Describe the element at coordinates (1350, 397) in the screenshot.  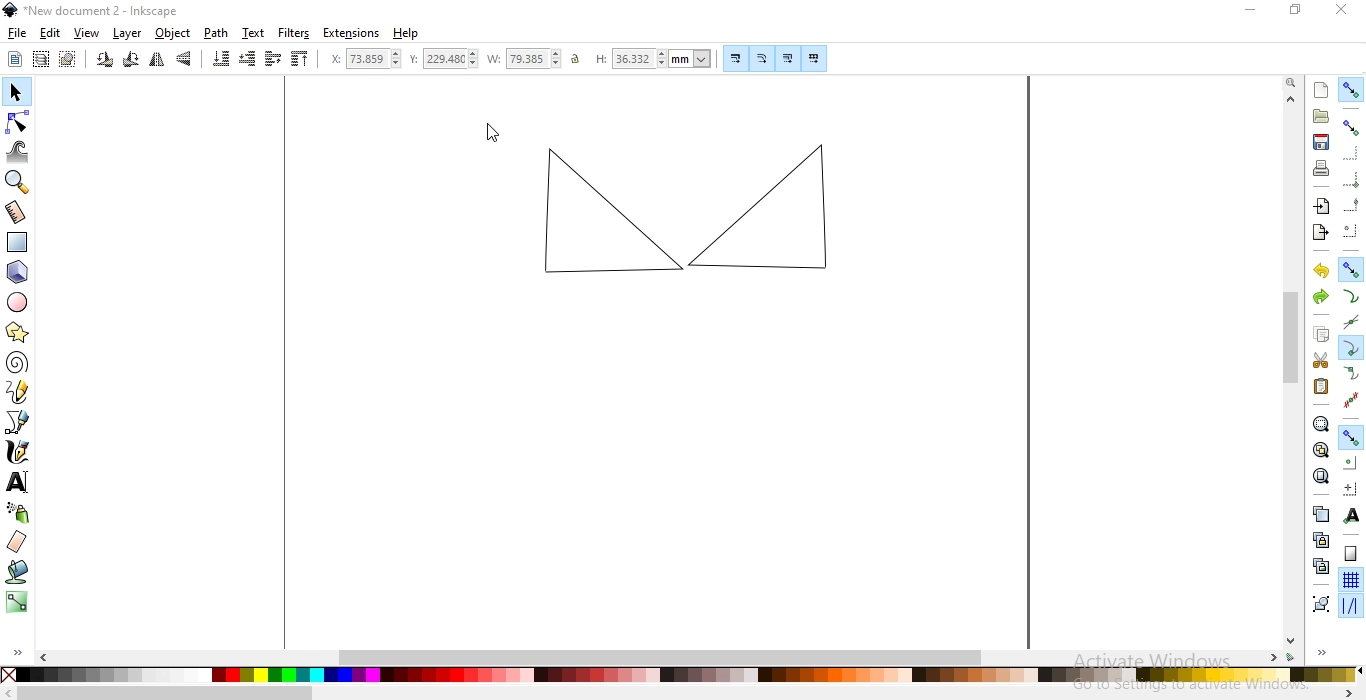
I see `snap midpoints of line segments` at that location.